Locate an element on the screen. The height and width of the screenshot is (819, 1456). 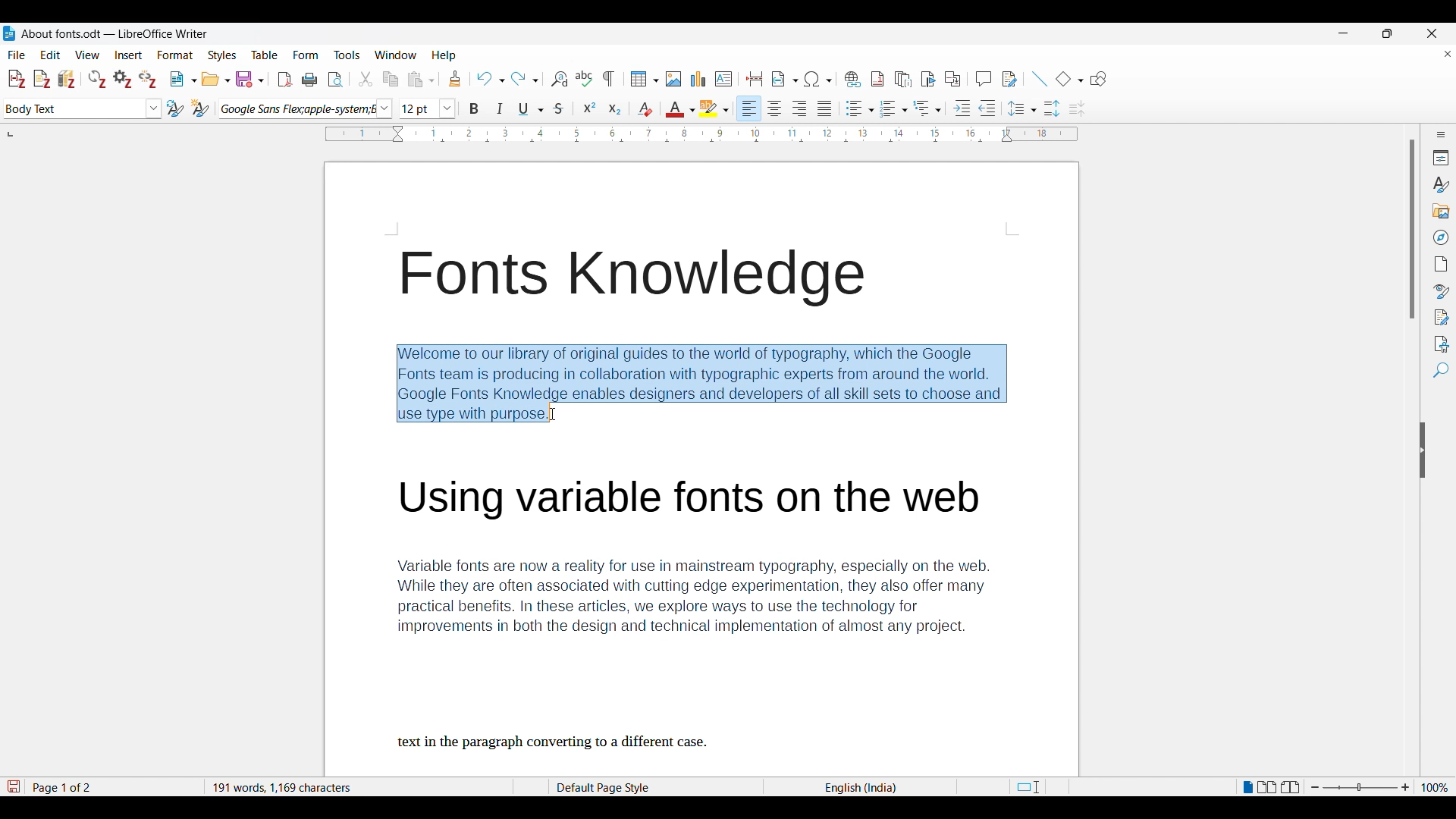
Insert footnote is located at coordinates (877, 79).